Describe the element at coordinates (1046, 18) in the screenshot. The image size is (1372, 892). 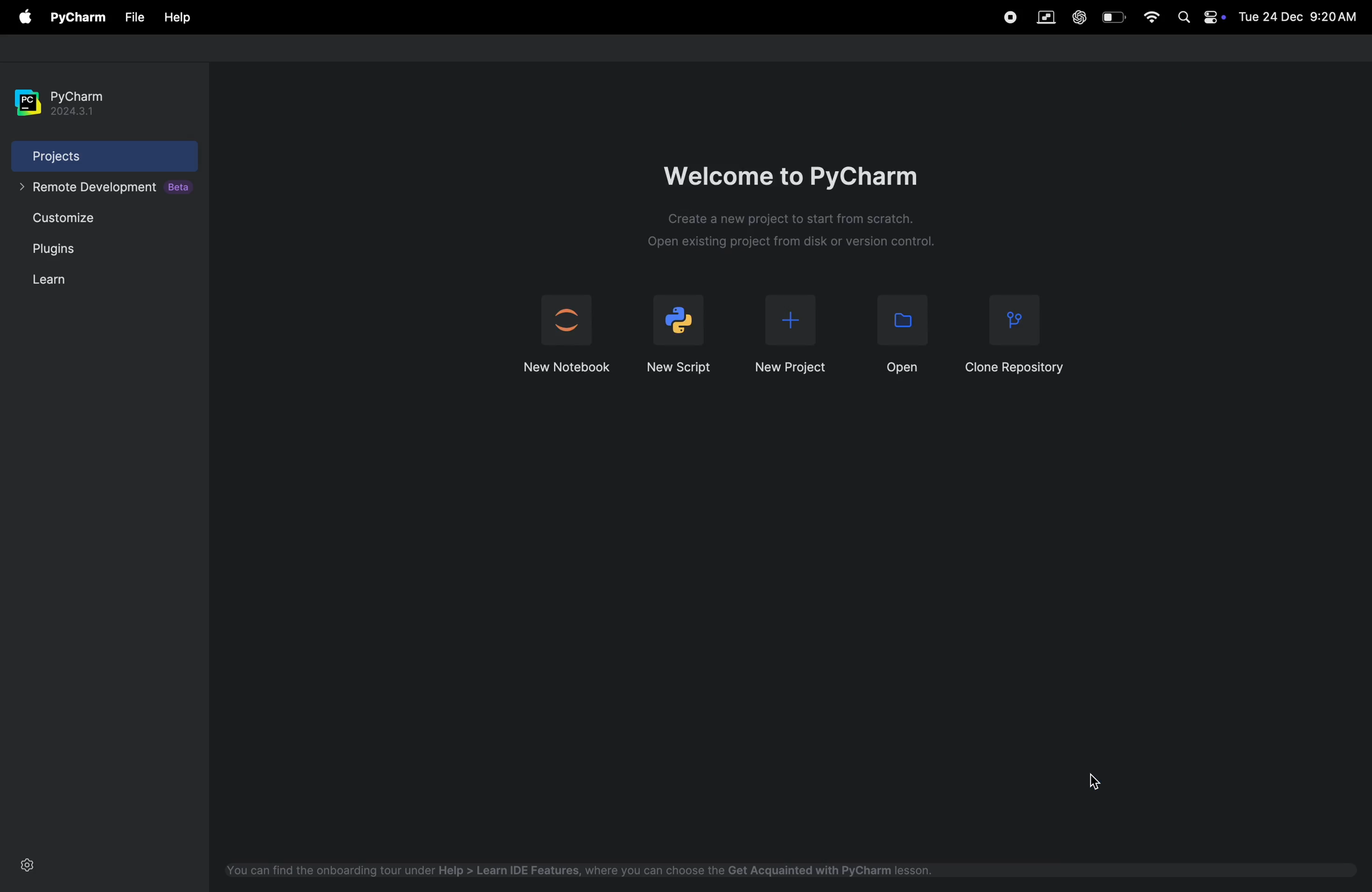
I see `vm` at that location.